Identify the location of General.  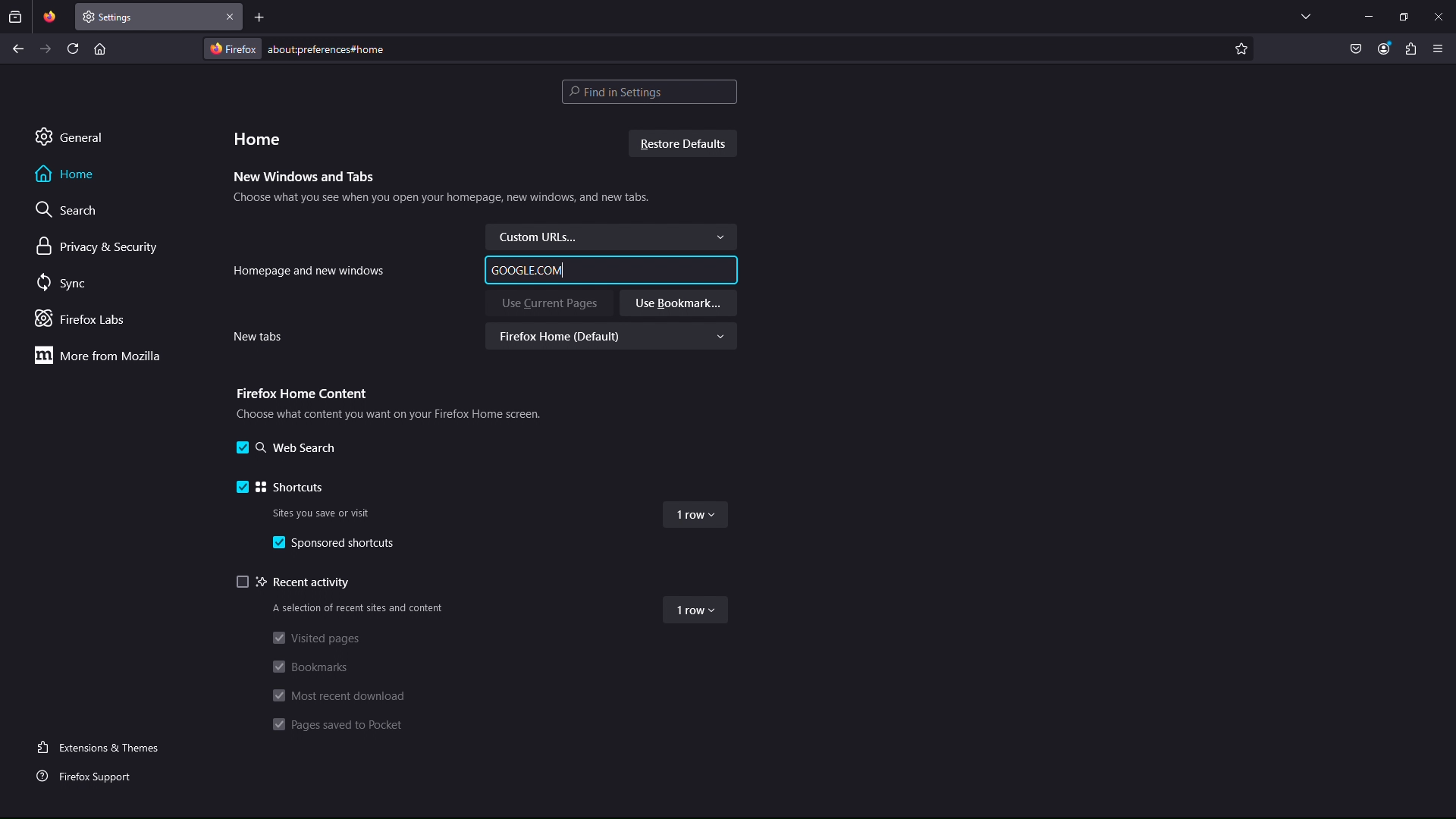
(69, 136).